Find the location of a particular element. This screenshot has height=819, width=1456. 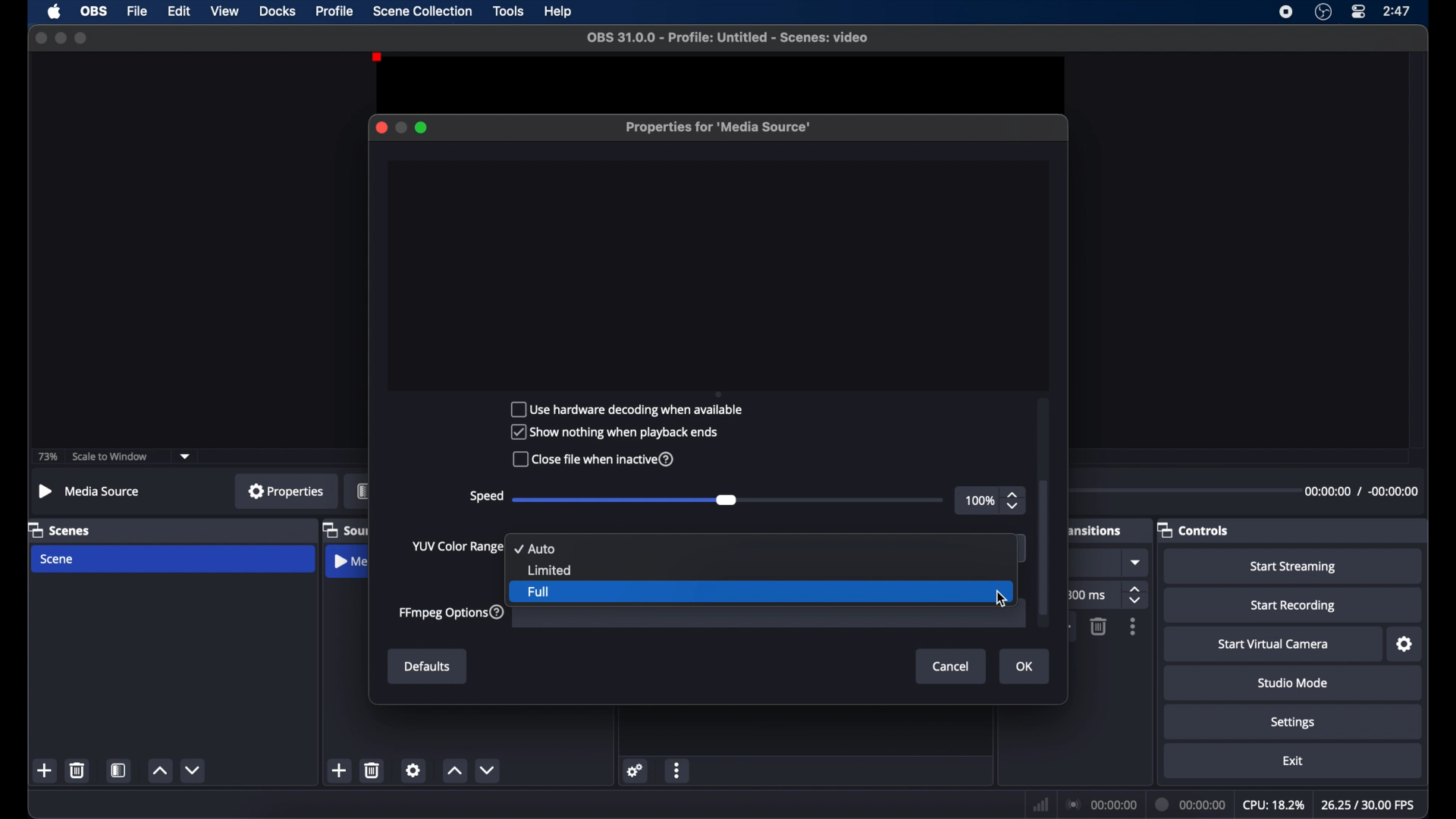

docks is located at coordinates (278, 11).